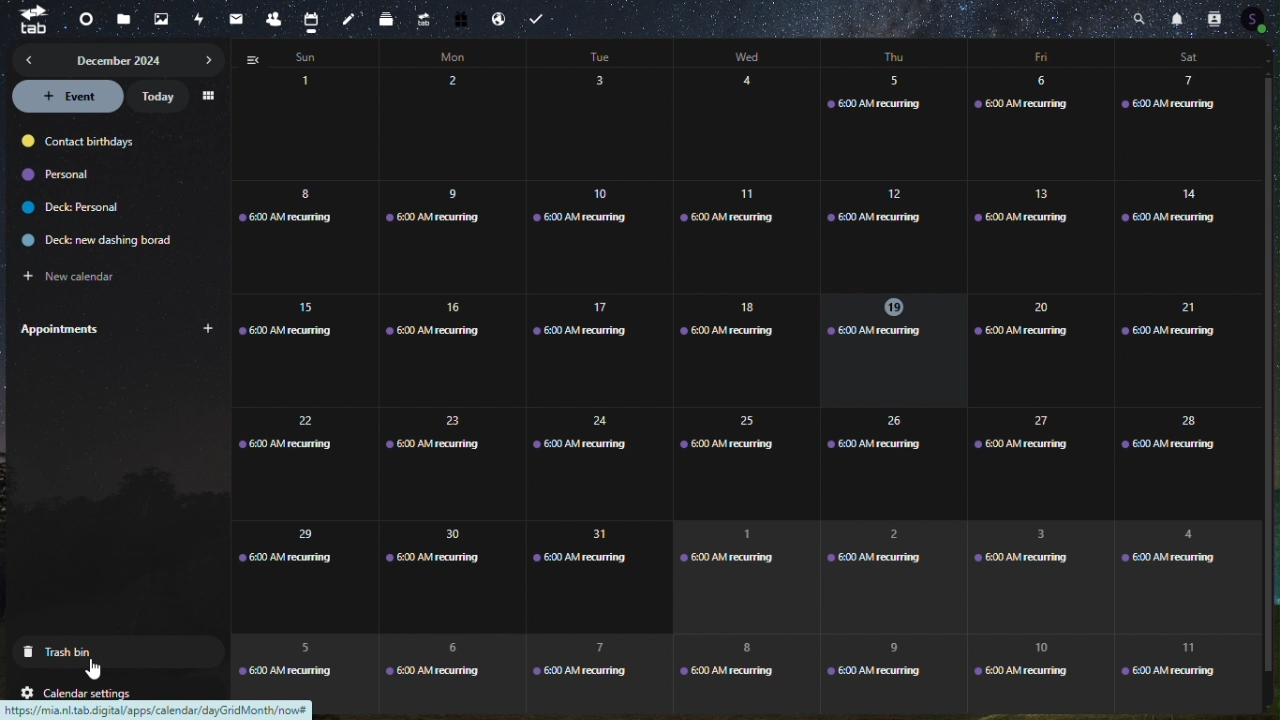 This screenshot has width=1280, height=720. I want to click on 29, so click(301, 561).